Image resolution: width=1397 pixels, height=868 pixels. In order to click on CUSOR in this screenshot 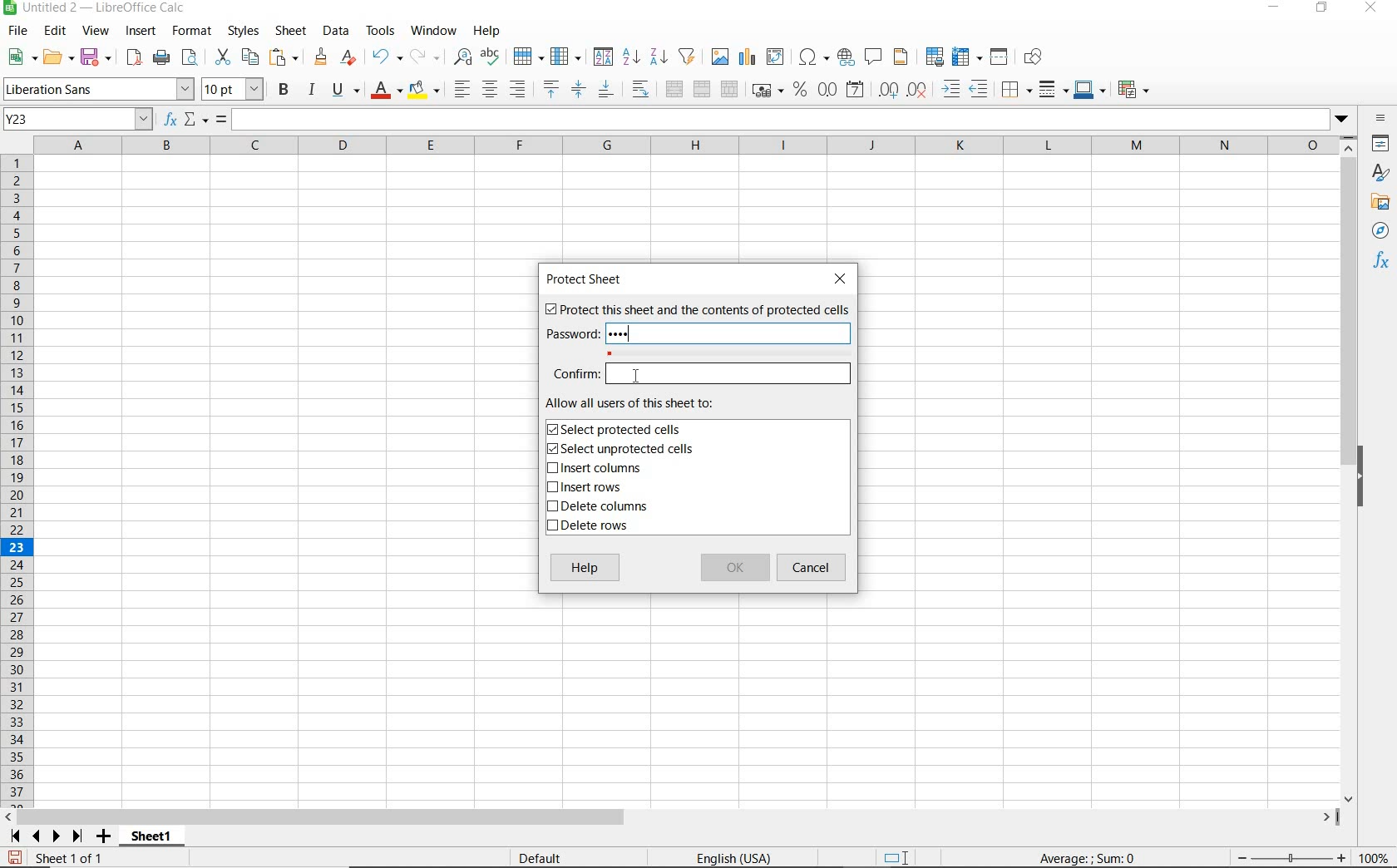, I will do `click(634, 377)`.